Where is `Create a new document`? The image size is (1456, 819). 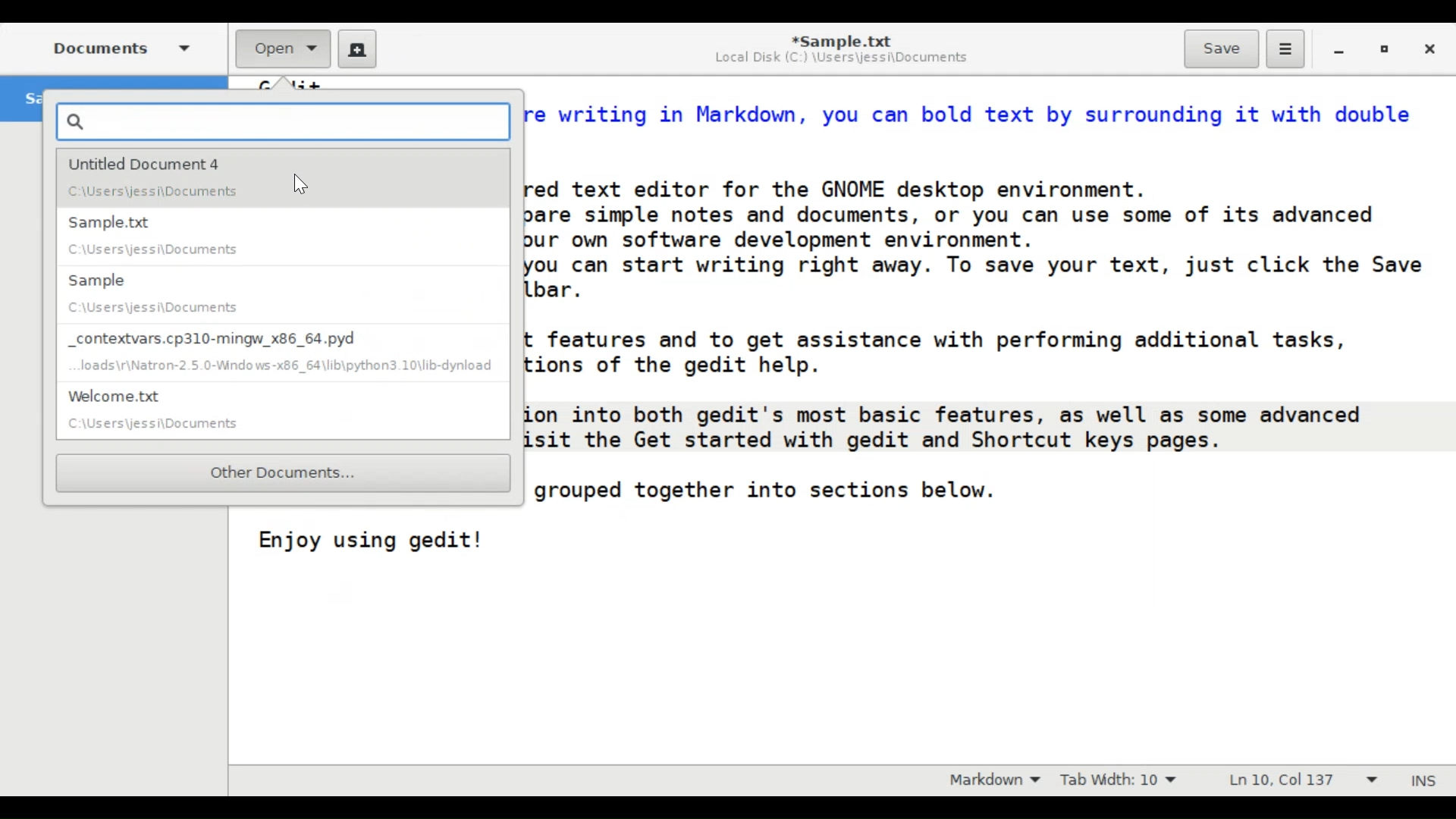 Create a new document is located at coordinates (358, 48).